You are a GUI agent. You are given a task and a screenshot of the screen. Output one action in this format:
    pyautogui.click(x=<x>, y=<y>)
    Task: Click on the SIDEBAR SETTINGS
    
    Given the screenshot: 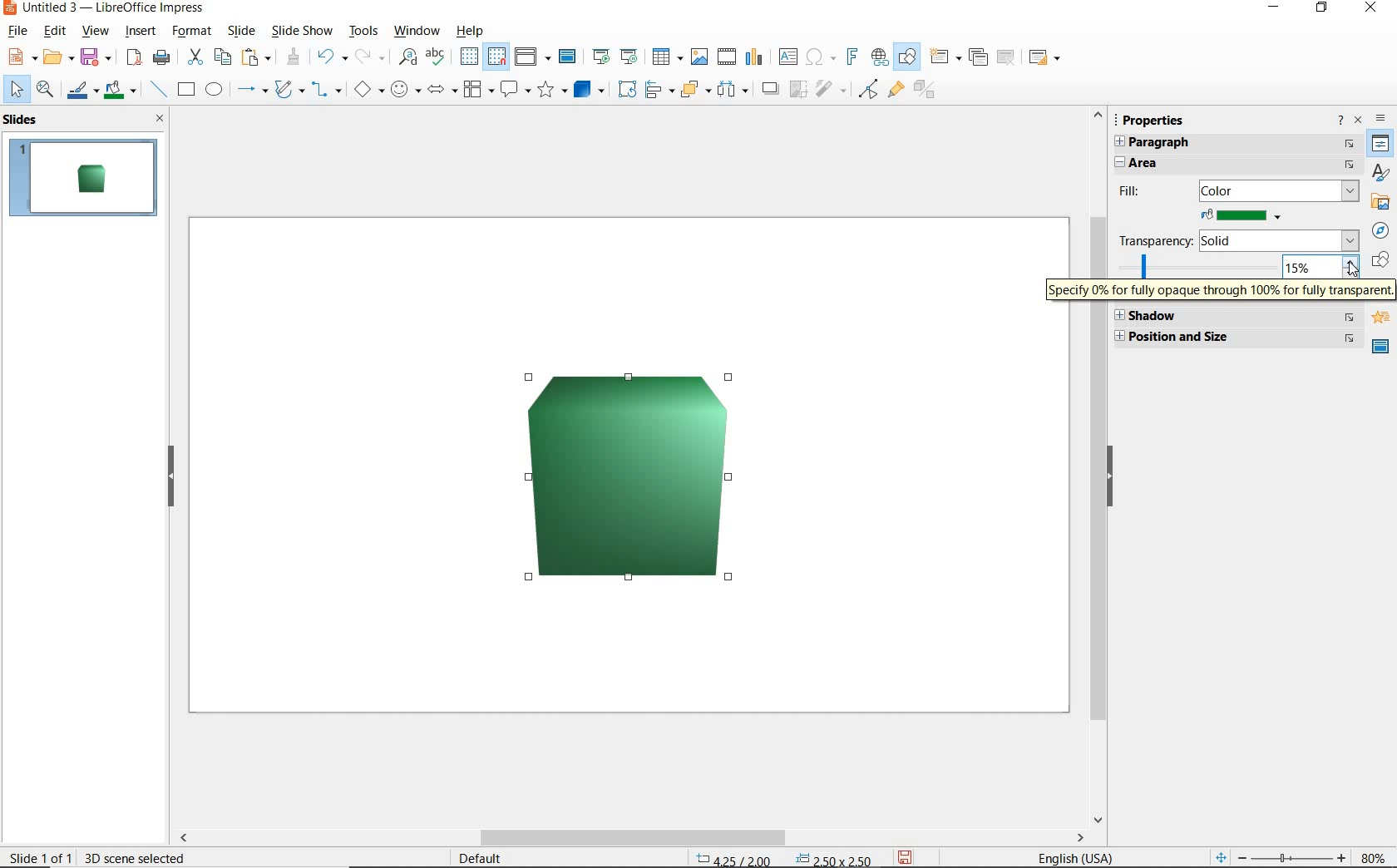 What is the action you would take?
    pyautogui.click(x=1380, y=118)
    